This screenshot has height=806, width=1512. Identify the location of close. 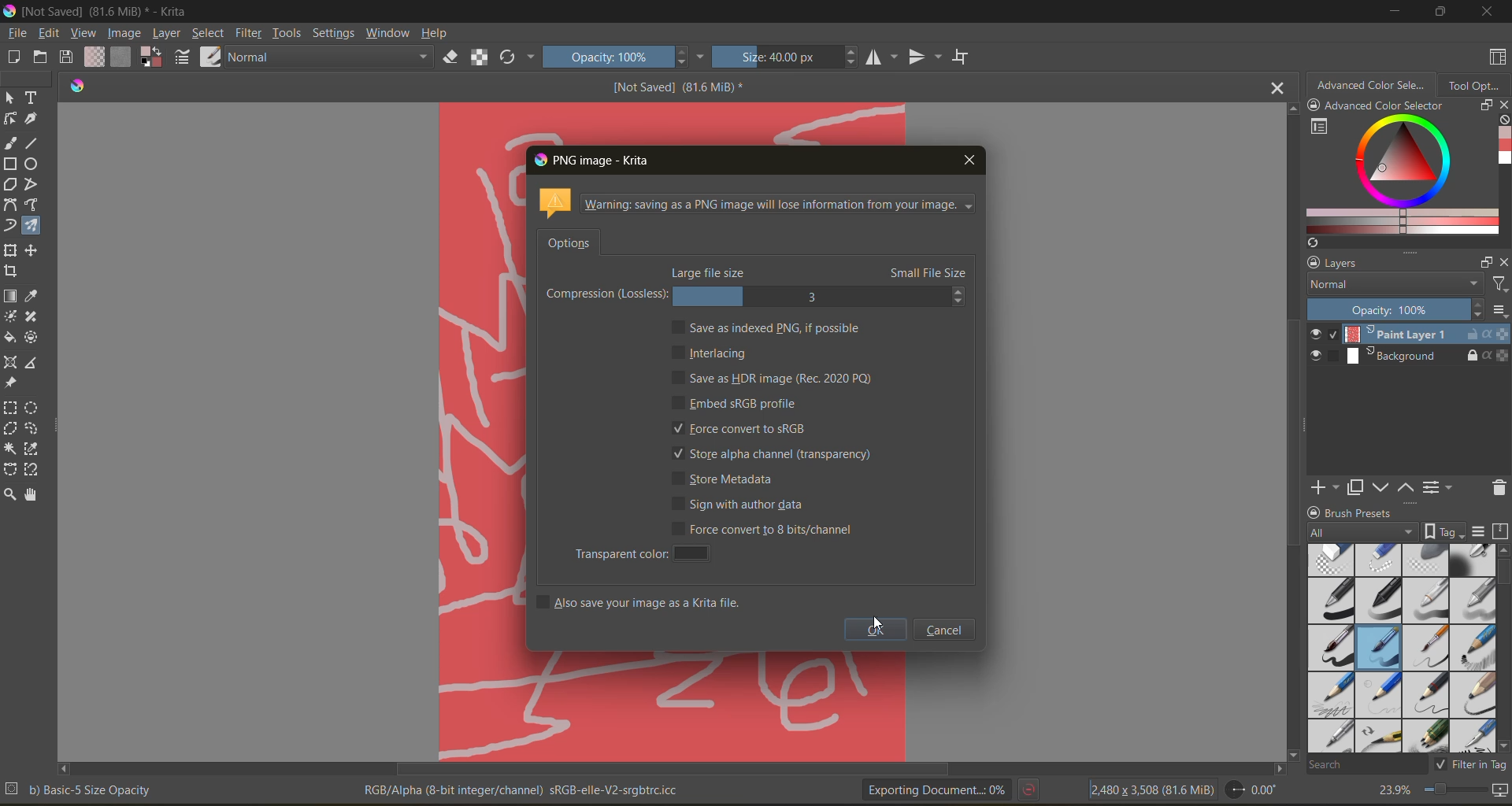
(1503, 106).